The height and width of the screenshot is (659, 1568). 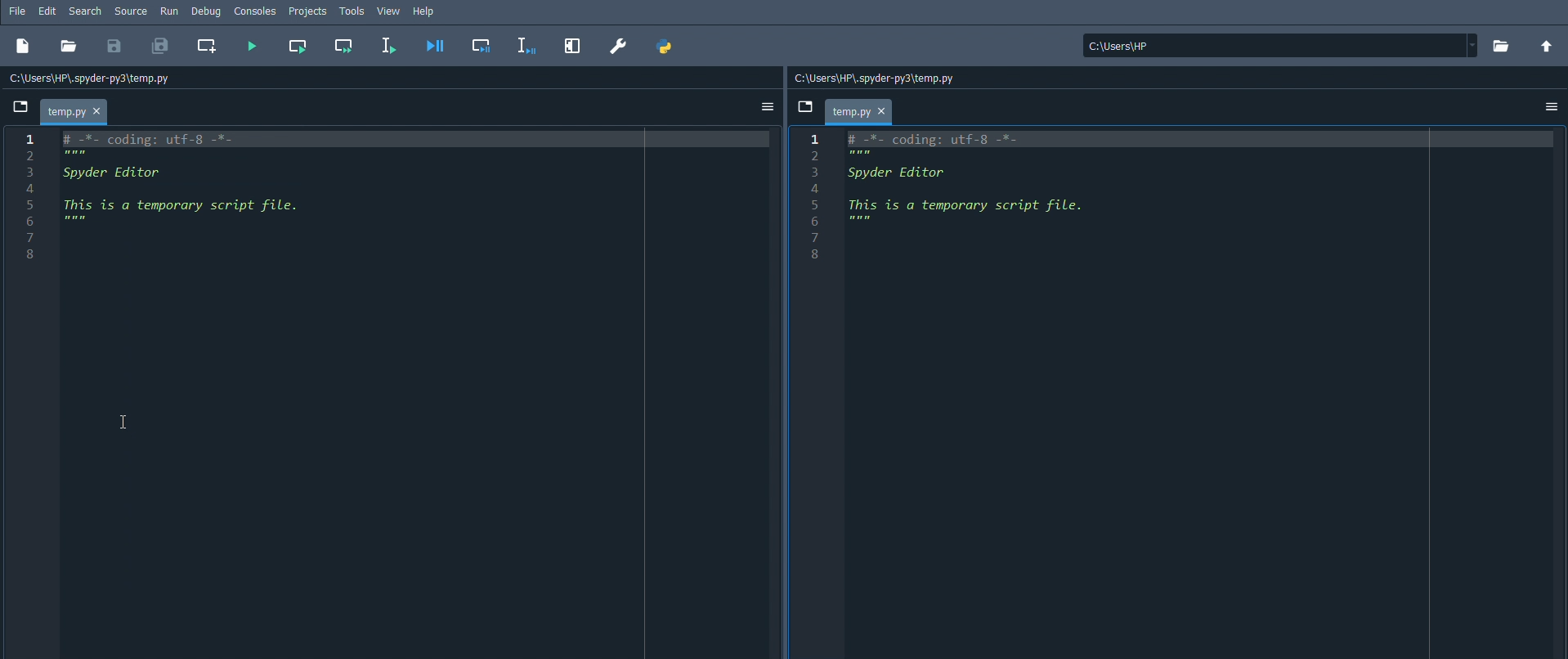 What do you see at coordinates (169, 11) in the screenshot?
I see `Run` at bounding box center [169, 11].